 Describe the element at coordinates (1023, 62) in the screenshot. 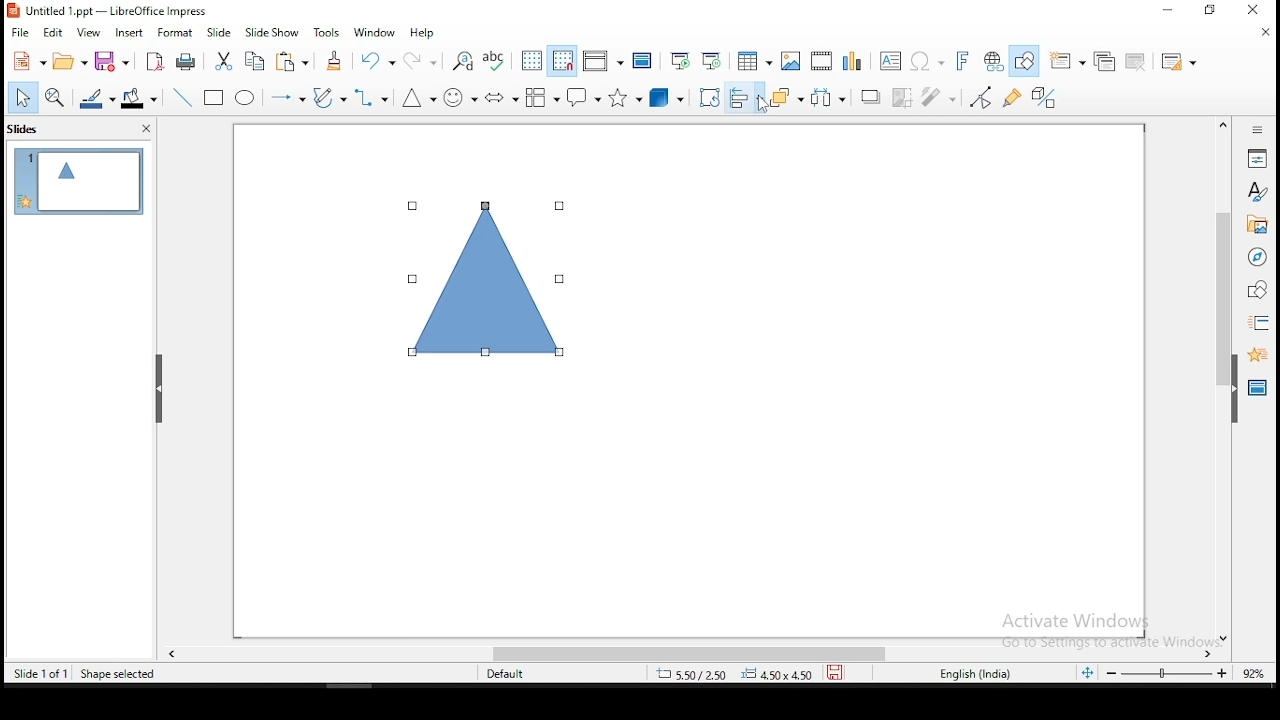

I see `show draw functions` at that location.